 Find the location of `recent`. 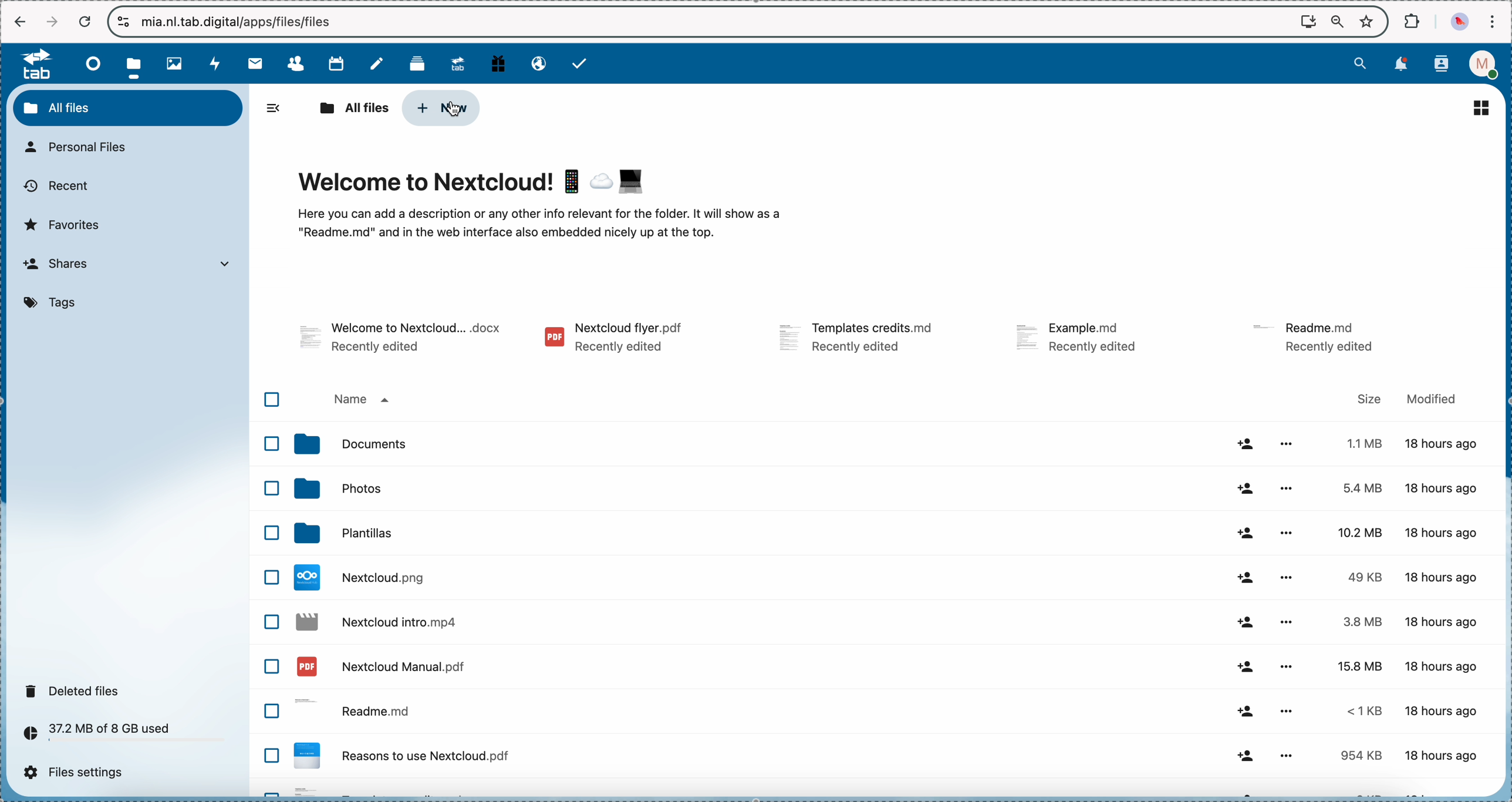

recent is located at coordinates (55, 187).